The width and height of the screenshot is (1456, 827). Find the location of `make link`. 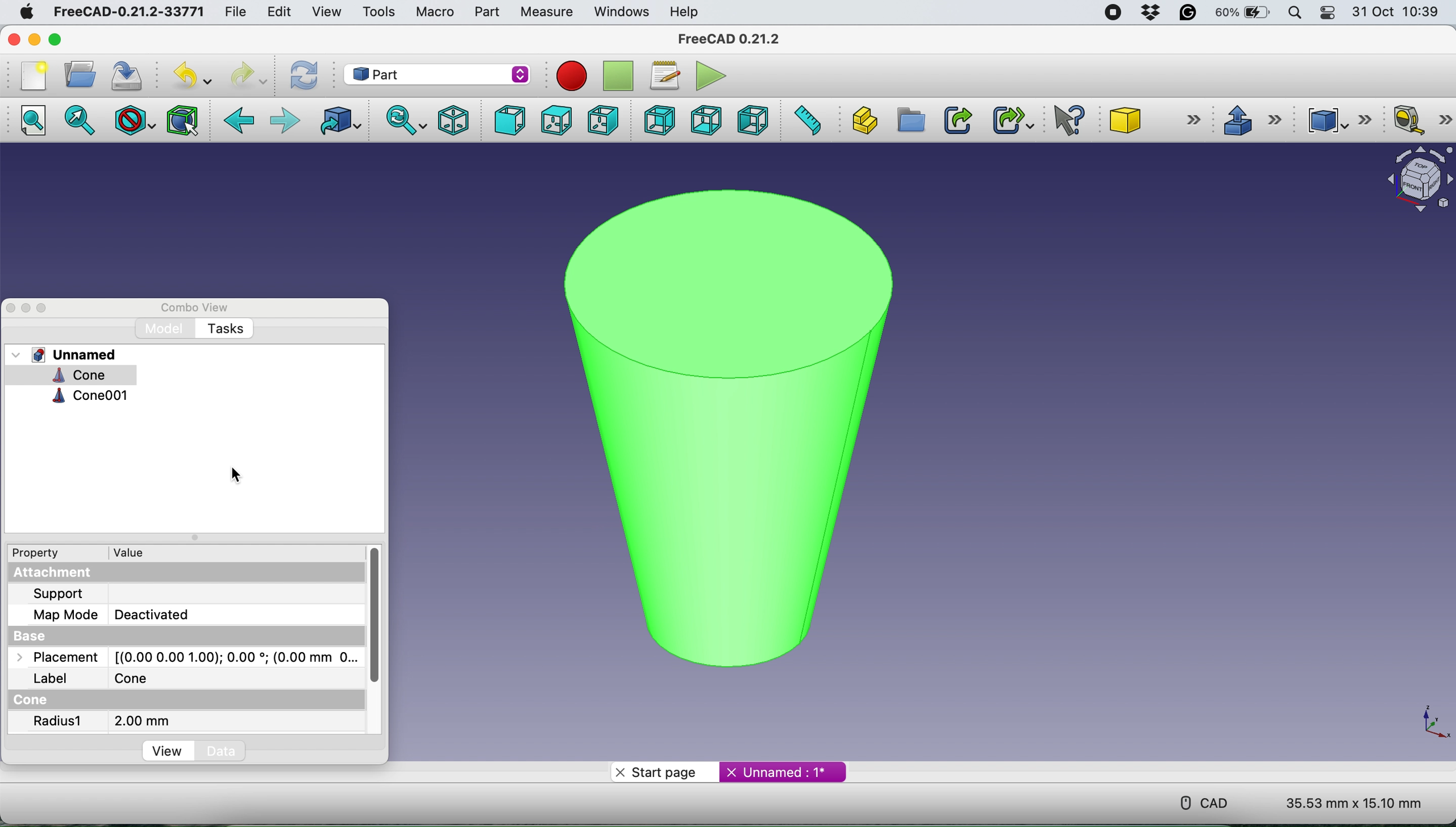

make link is located at coordinates (958, 119).